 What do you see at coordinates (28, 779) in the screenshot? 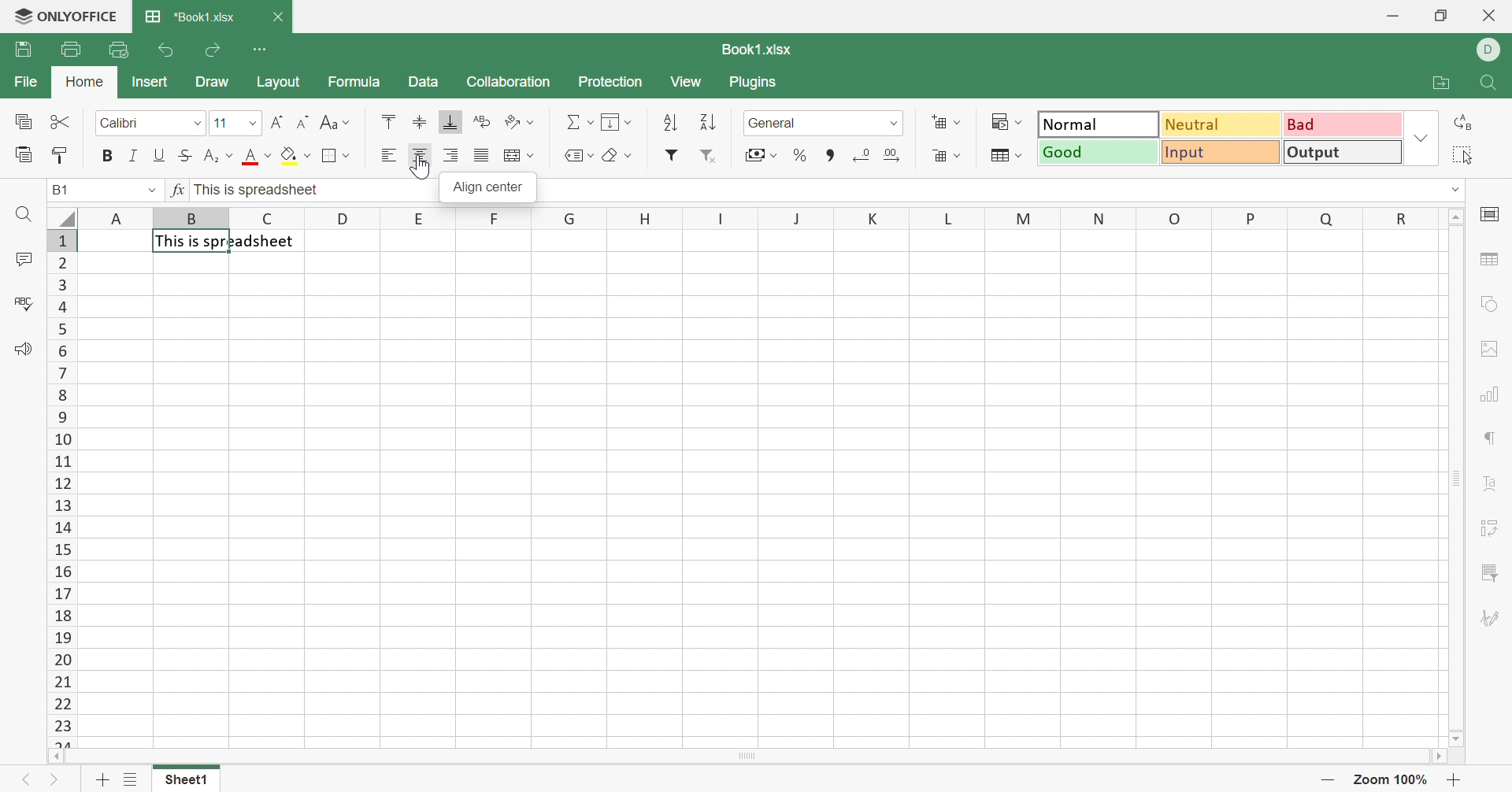
I see `Previous` at bounding box center [28, 779].